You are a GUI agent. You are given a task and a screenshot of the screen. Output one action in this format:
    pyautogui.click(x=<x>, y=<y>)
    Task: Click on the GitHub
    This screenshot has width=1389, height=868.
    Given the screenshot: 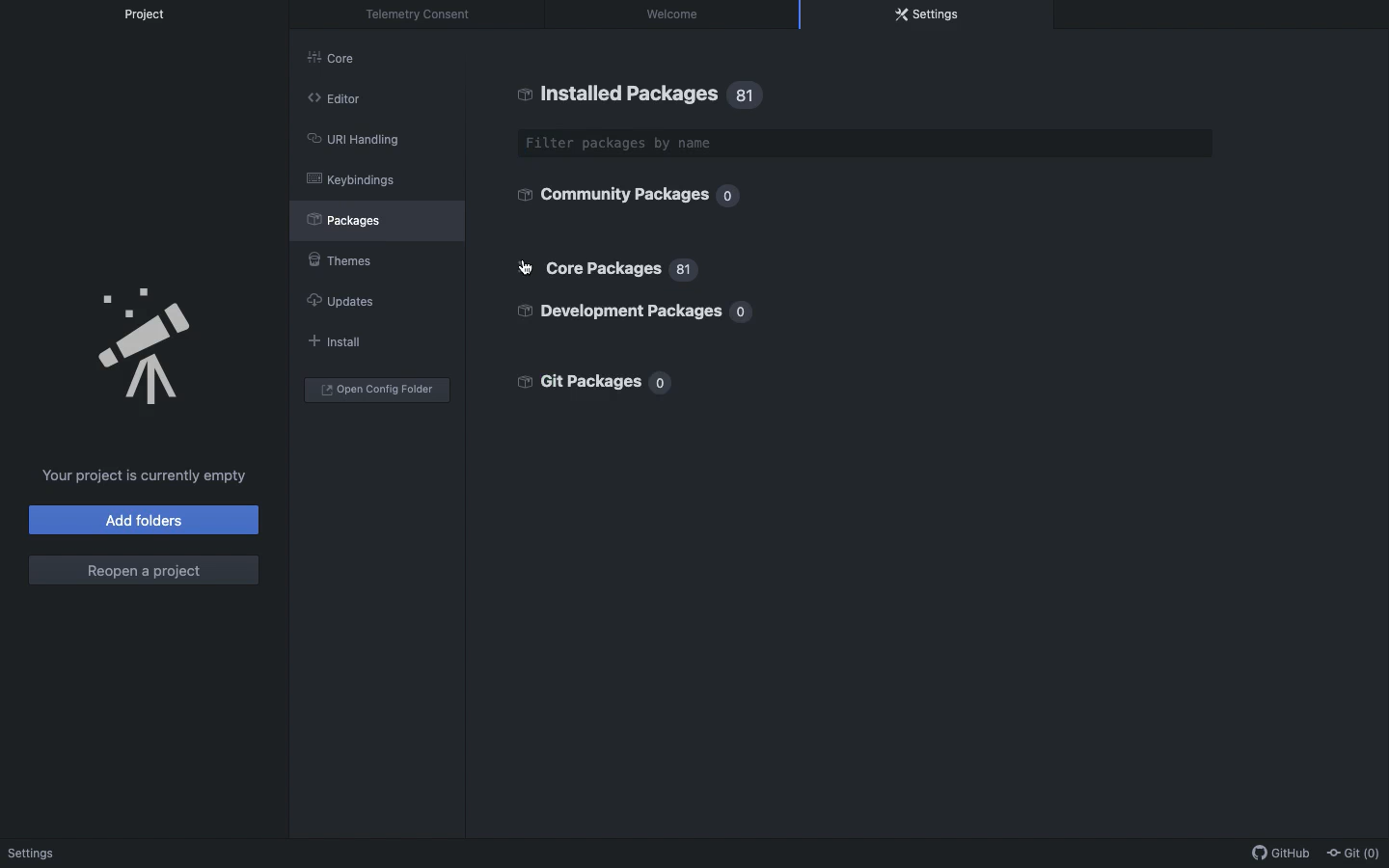 What is the action you would take?
    pyautogui.click(x=1276, y=854)
    